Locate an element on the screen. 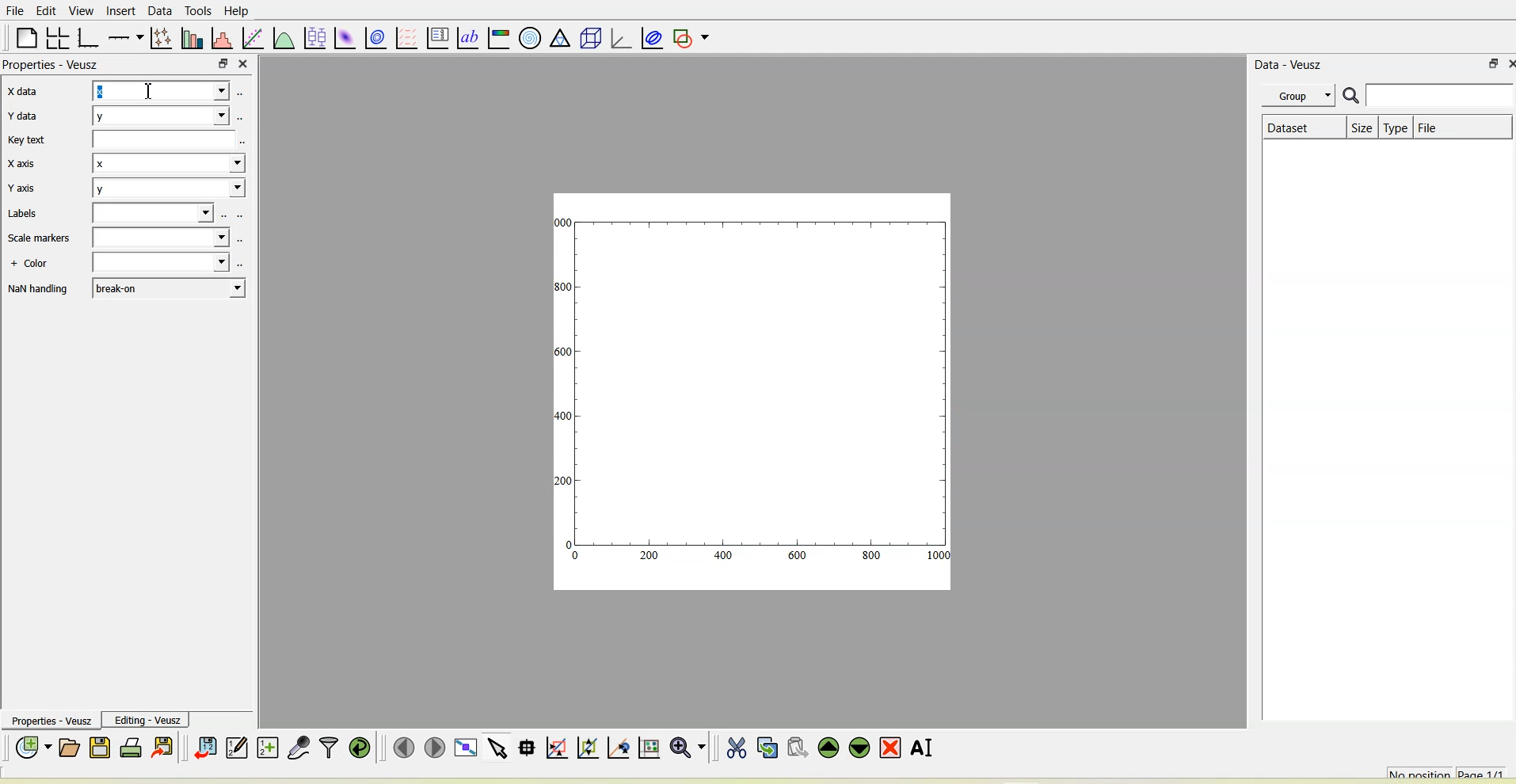  Blank page is located at coordinates (27, 38).